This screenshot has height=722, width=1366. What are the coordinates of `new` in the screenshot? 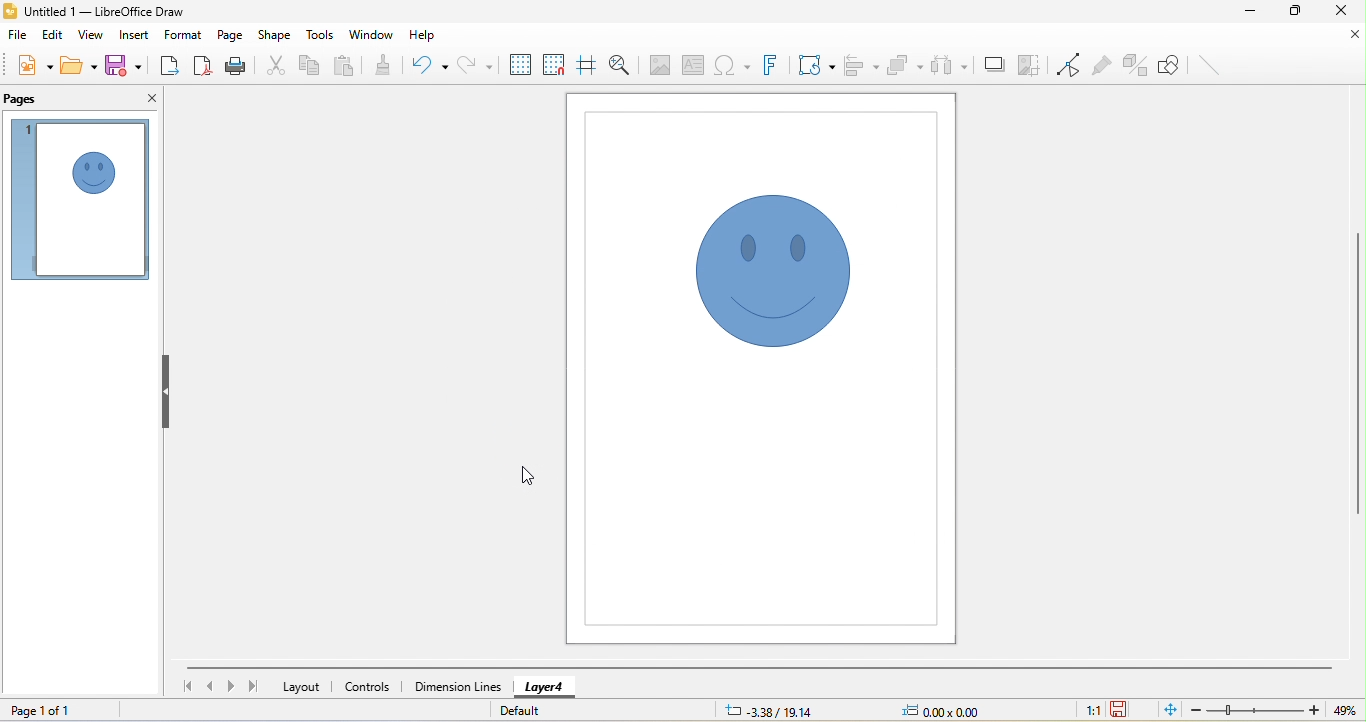 It's located at (34, 68).